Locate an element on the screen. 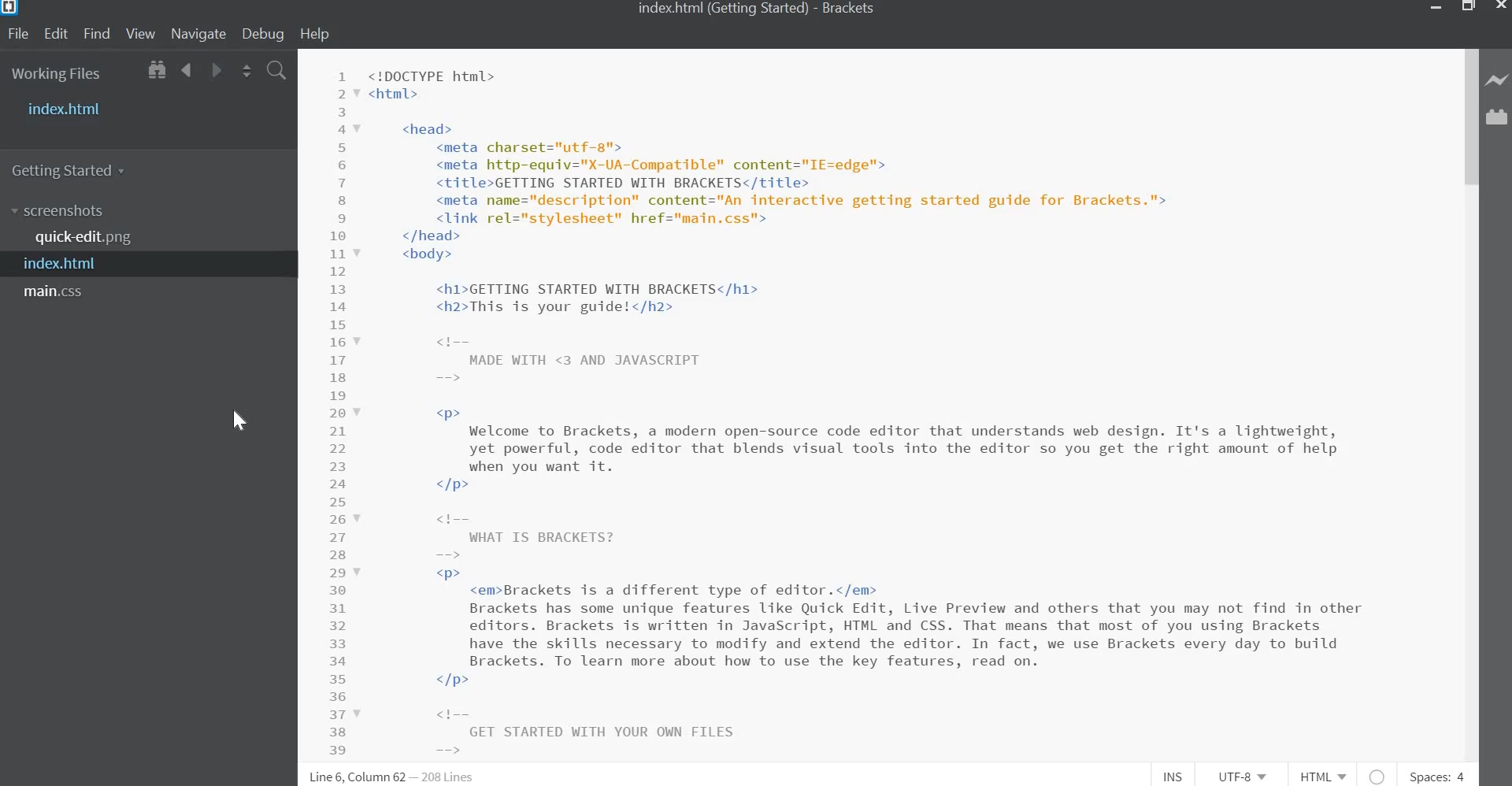 The image size is (1512, 786). minimize is located at coordinates (1436, 9).